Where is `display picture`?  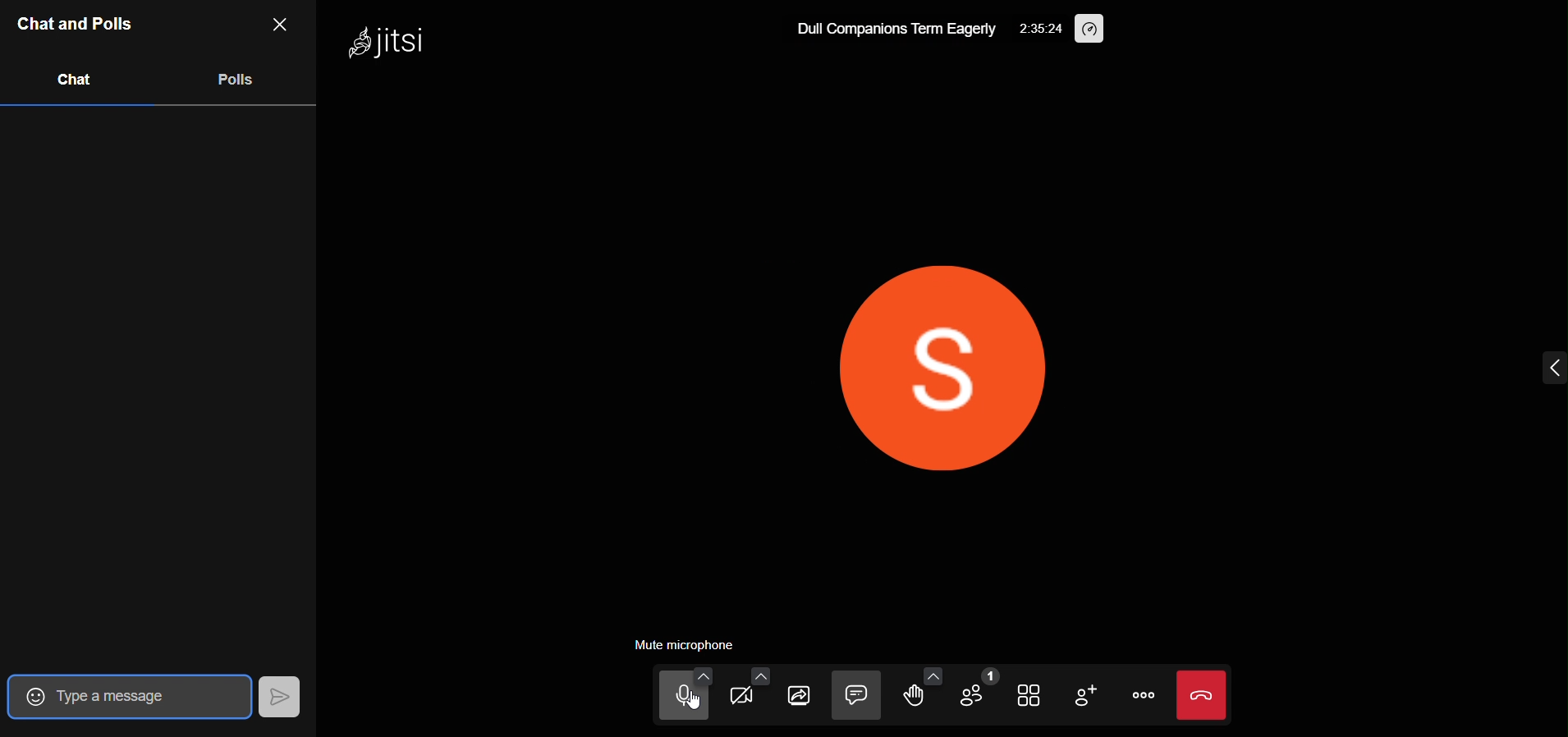 display picture is located at coordinates (934, 375).